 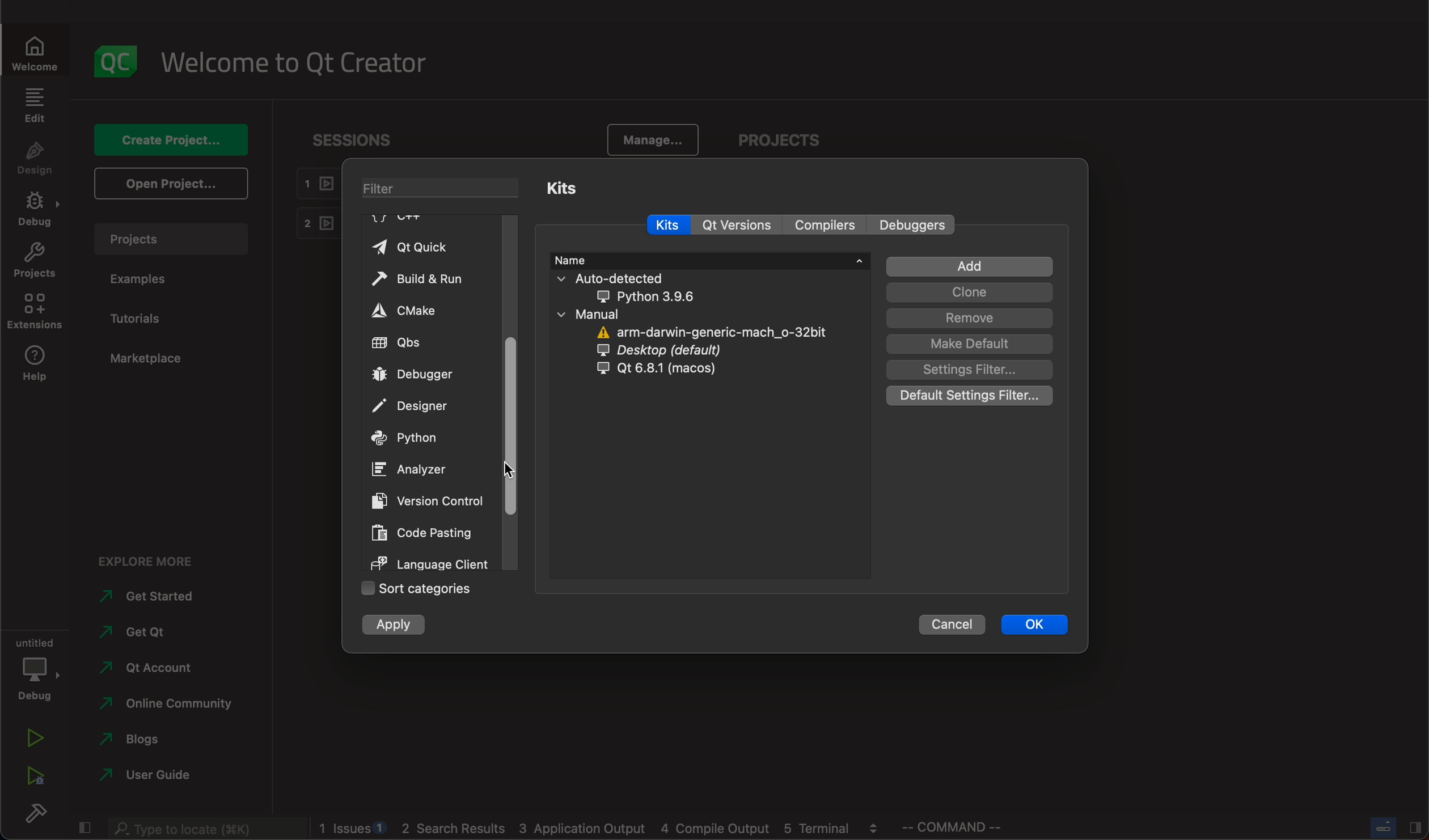 What do you see at coordinates (33, 261) in the screenshot?
I see `projects` at bounding box center [33, 261].